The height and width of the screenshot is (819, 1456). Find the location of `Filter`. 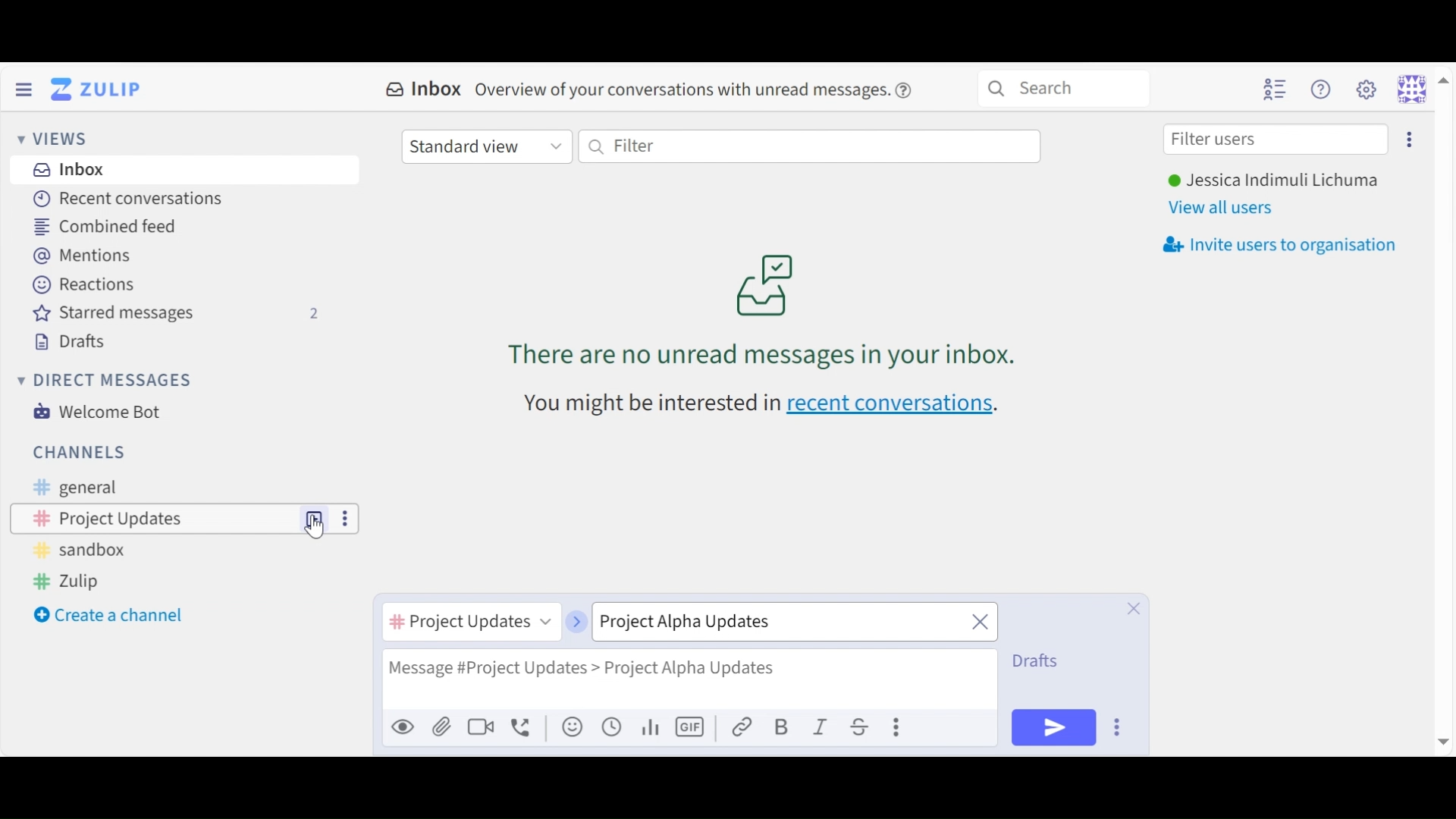

Filter is located at coordinates (809, 146).